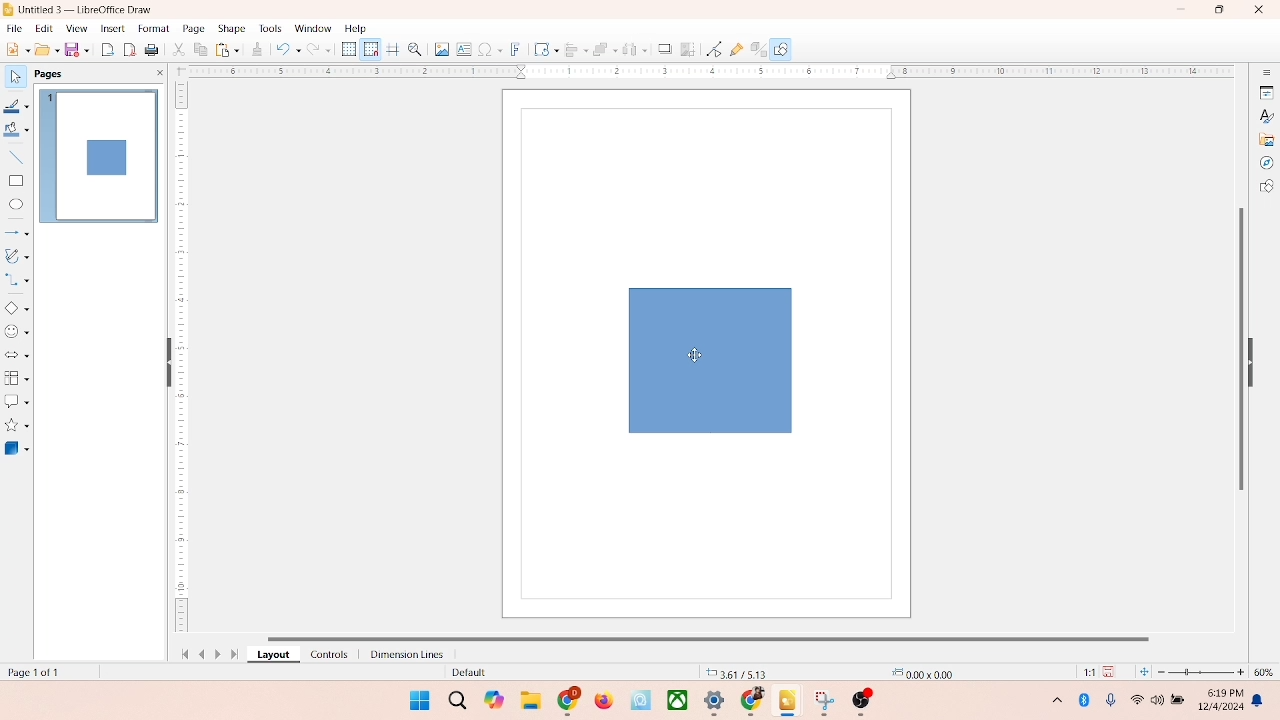  What do you see at coordinates (783, 49) in the screenshot?
I see `draw function` at bounding box center [783, 49].